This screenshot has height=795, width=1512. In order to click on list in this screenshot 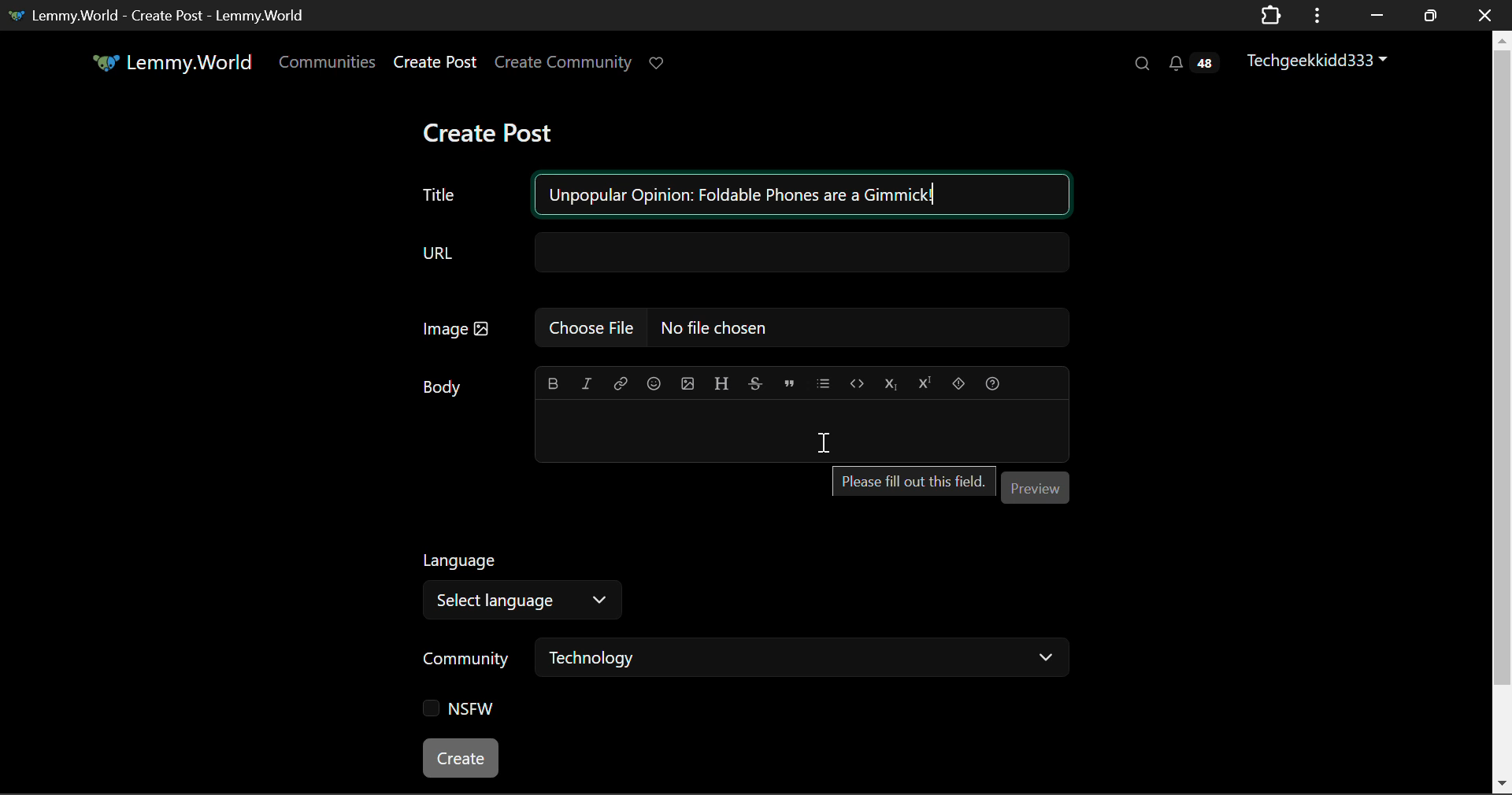, I will do `click(825, 381)`.